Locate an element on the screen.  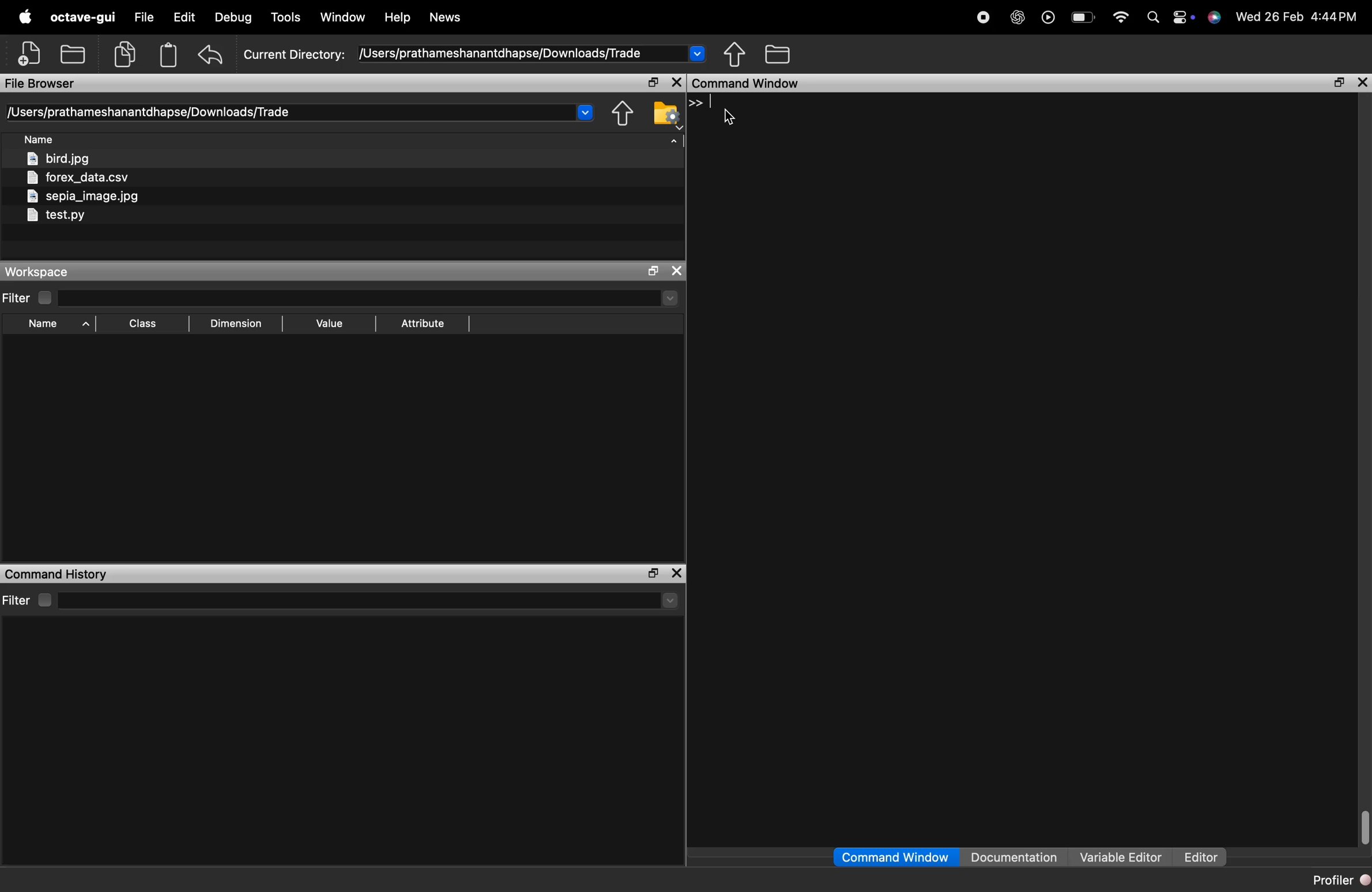
close is located at coordinates (678, 82).